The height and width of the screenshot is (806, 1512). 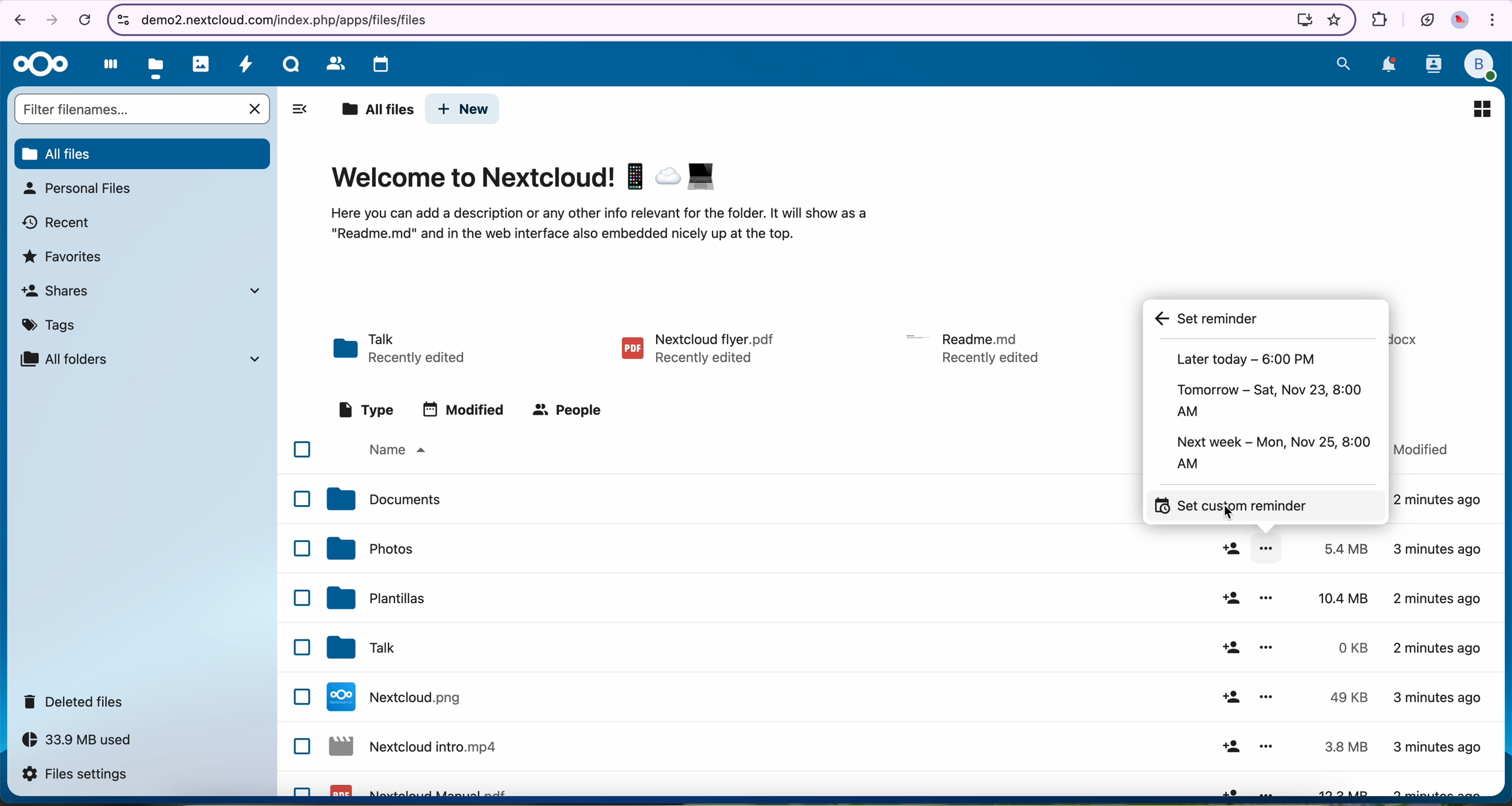 What do you see at coordinates (1268, 600) in the screenshot?
I see `more options` at bounding box center [1268, 600].